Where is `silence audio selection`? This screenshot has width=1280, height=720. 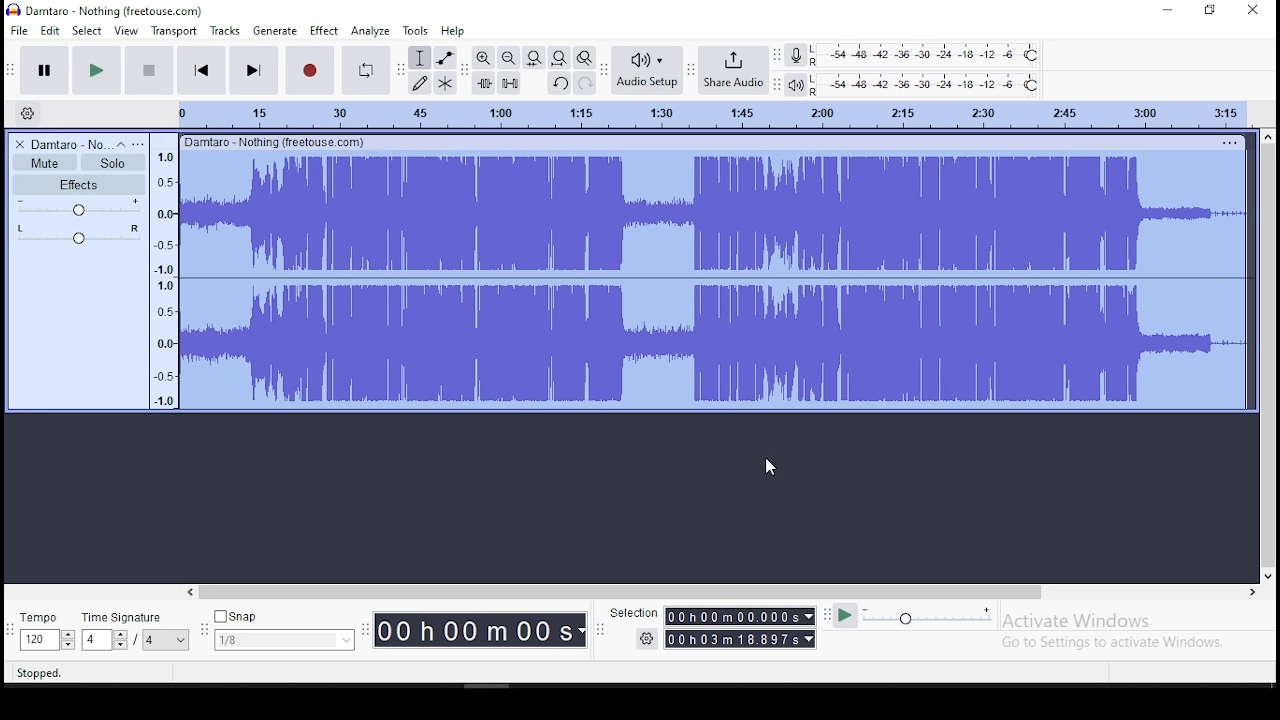
silence audio selection is located at coordinates (510, 82).